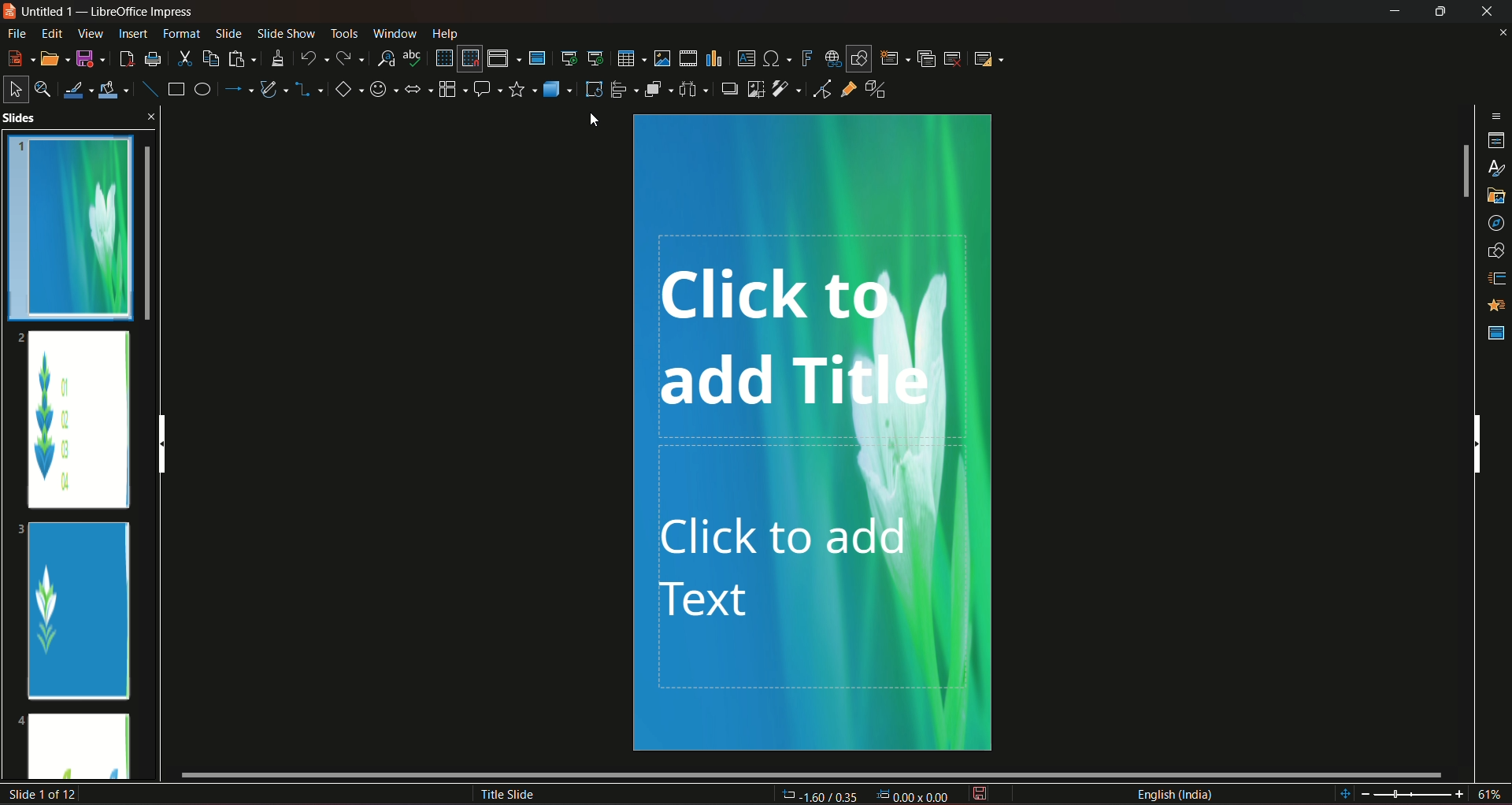  Describe the element at coordinates (505, 793) in the screenshot. I see `title slide` at that location.